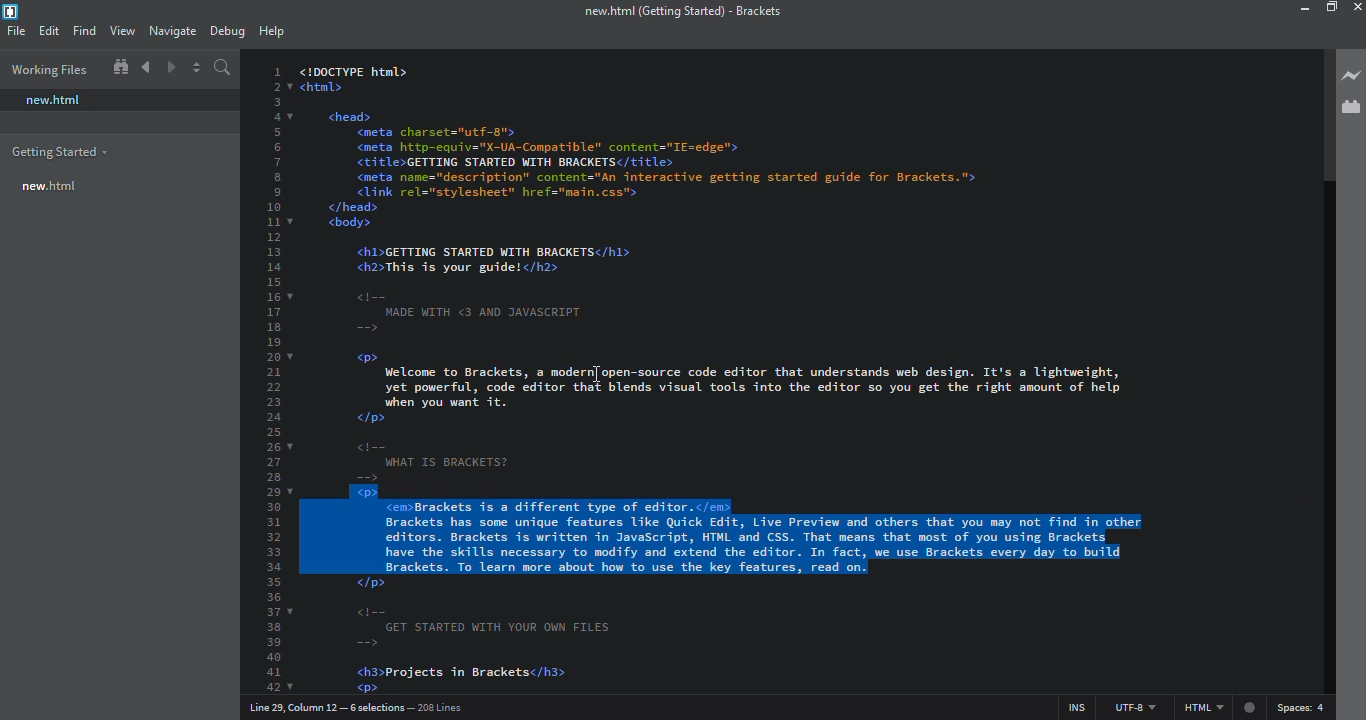  What do you see at coordinates (149, 68) in the screenshot?
I see `navigate back` at bounding box center [149, 68].